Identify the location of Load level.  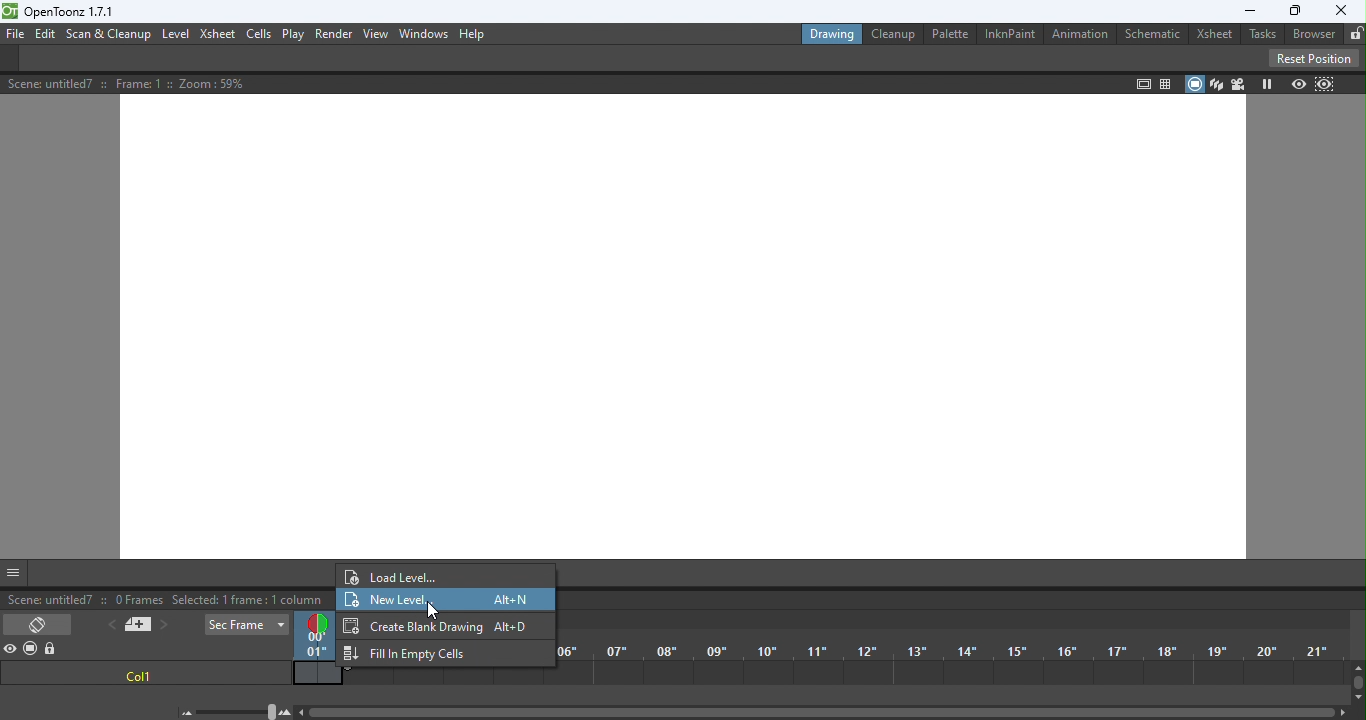
(403, 577).